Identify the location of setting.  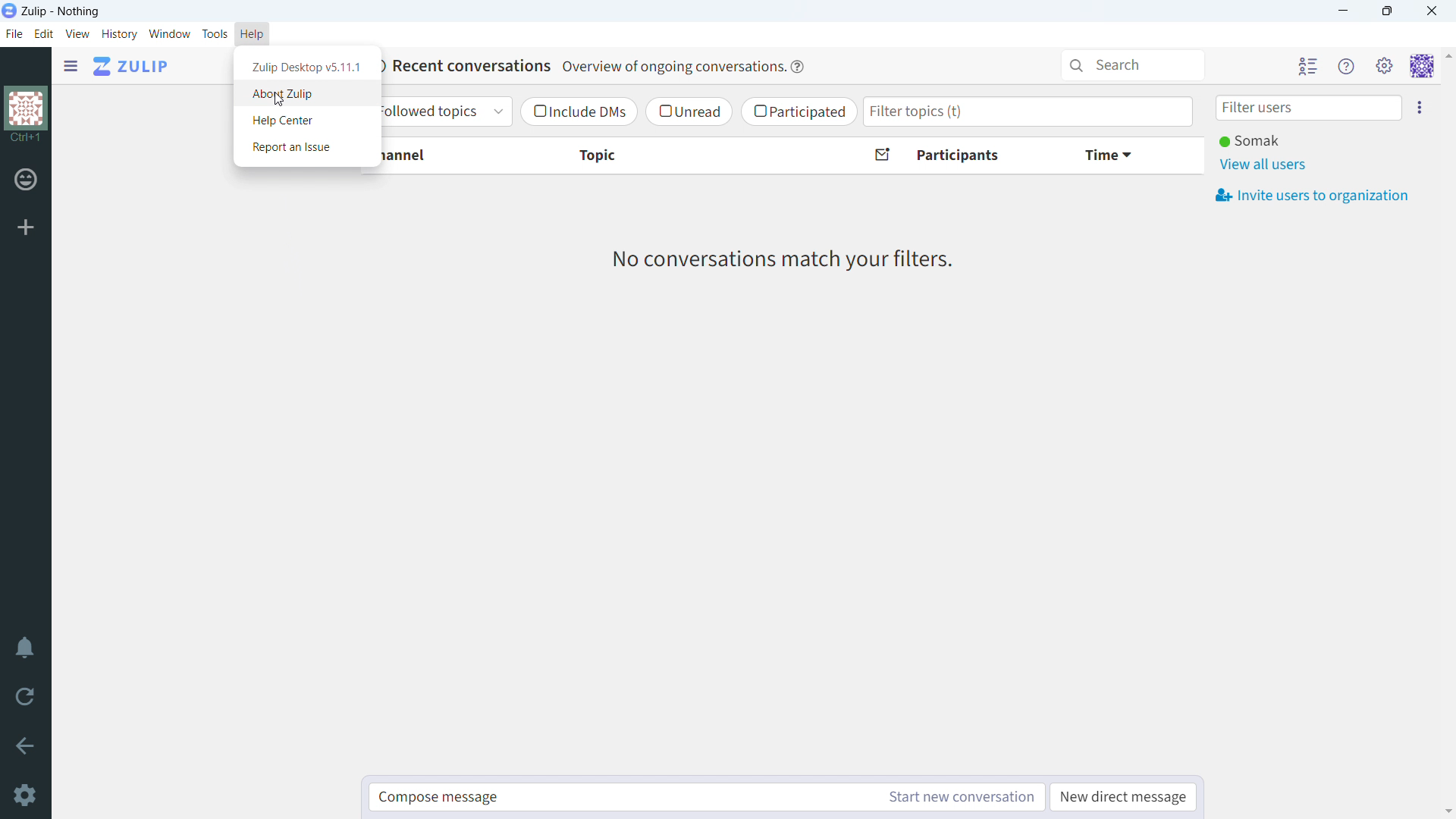
(1385, 65).